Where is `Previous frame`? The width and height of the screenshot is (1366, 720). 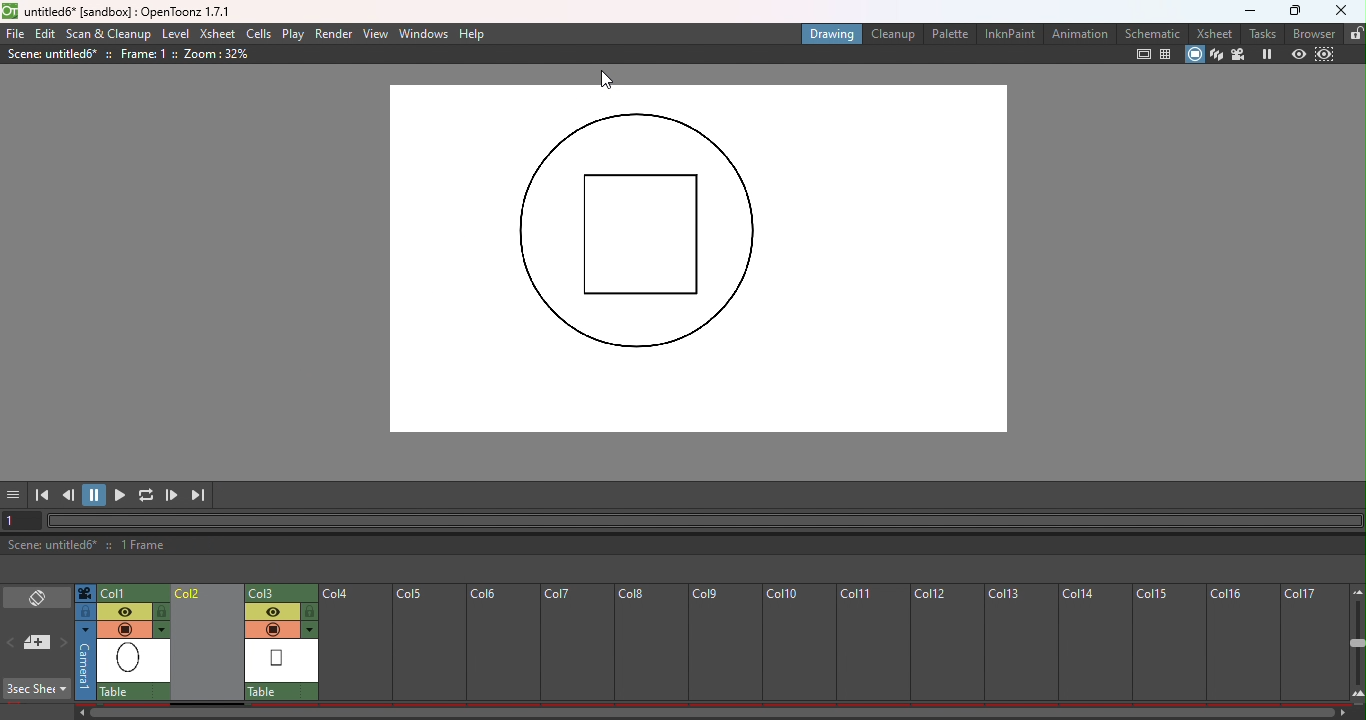
Previous frame is located at coordinates (70, 495).